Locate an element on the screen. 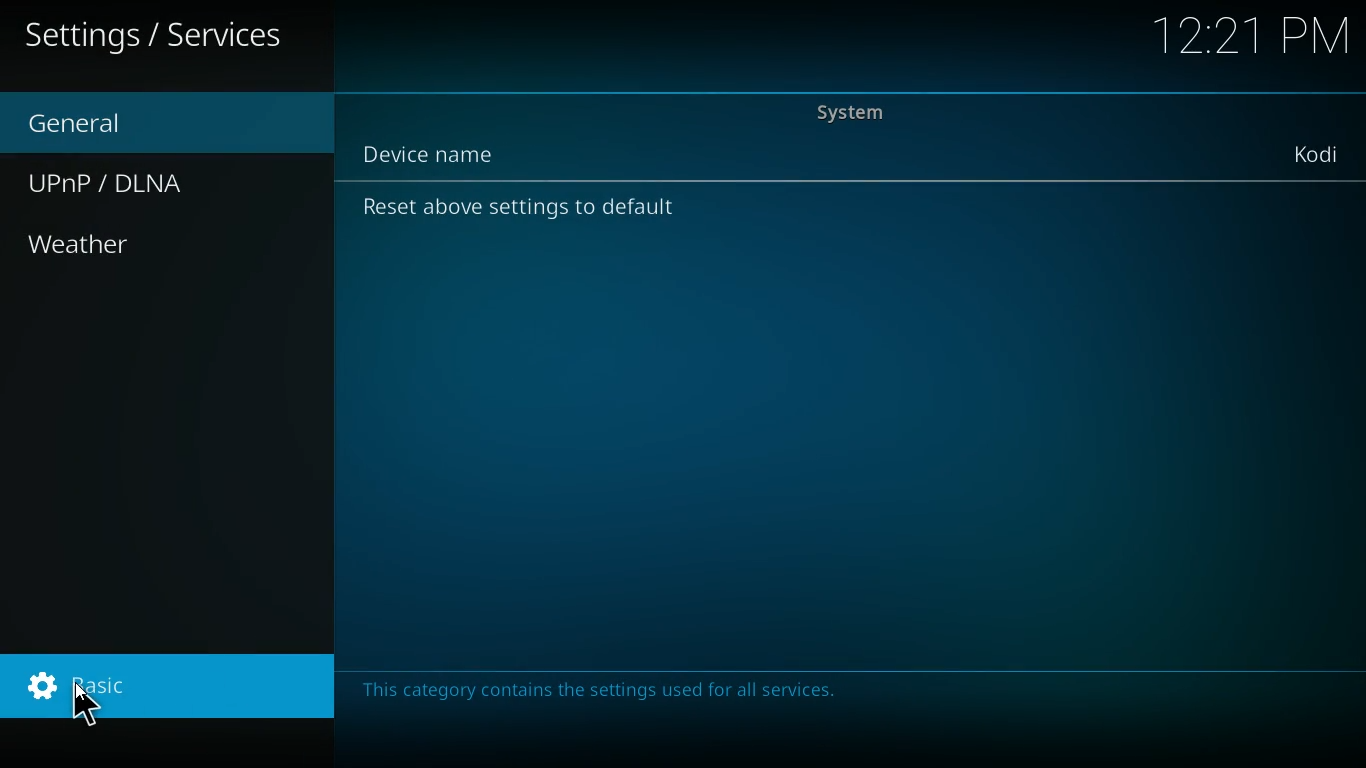 The height and width of the screenshot is (768, 1366). system is located at coordinates (872, 115).